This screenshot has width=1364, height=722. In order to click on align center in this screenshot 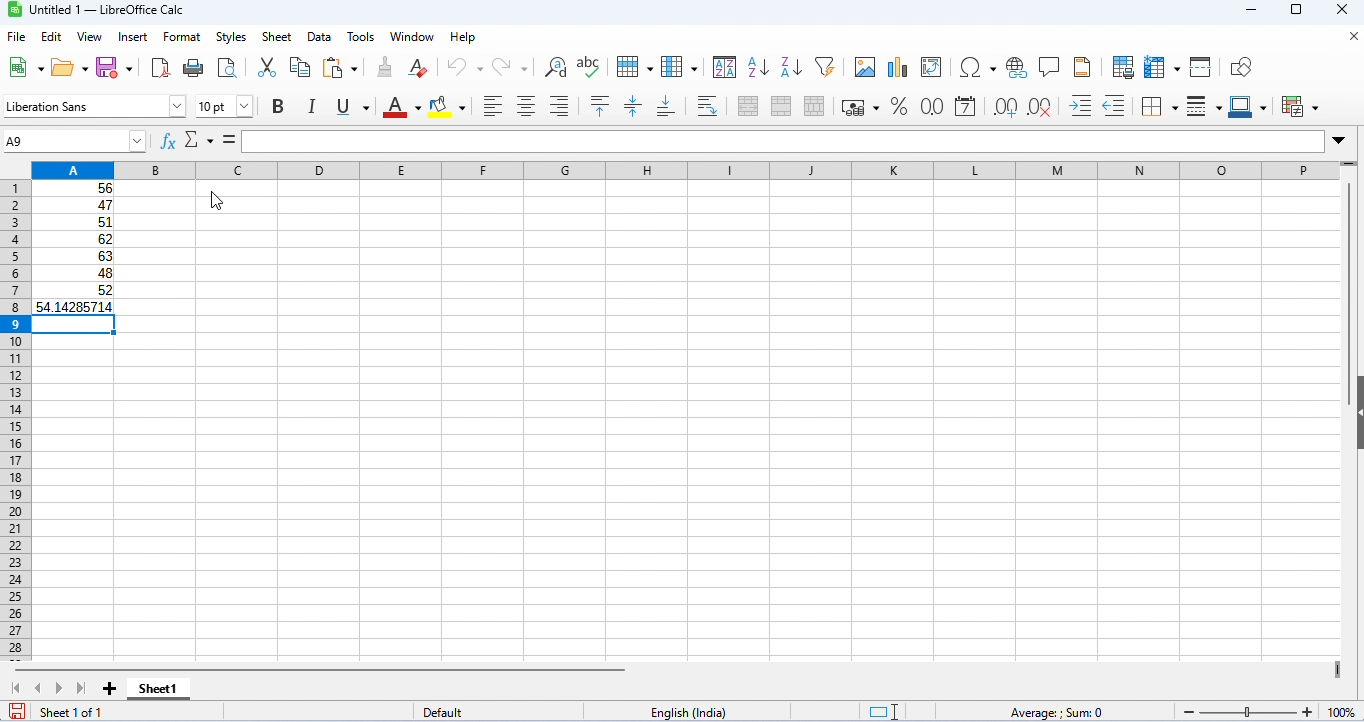, I will do `click(526, 106)`.